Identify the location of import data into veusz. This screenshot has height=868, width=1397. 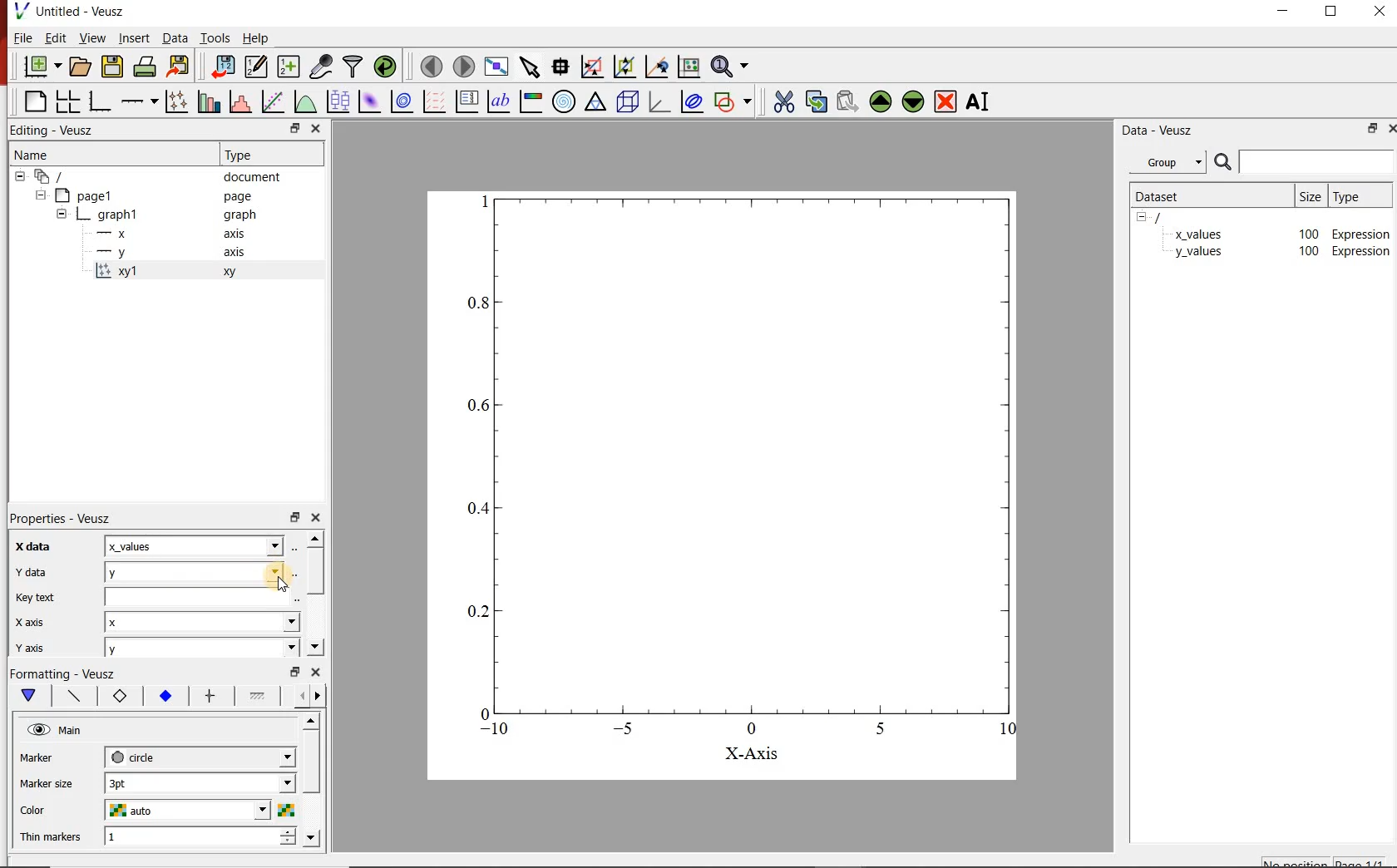
(223, 67).